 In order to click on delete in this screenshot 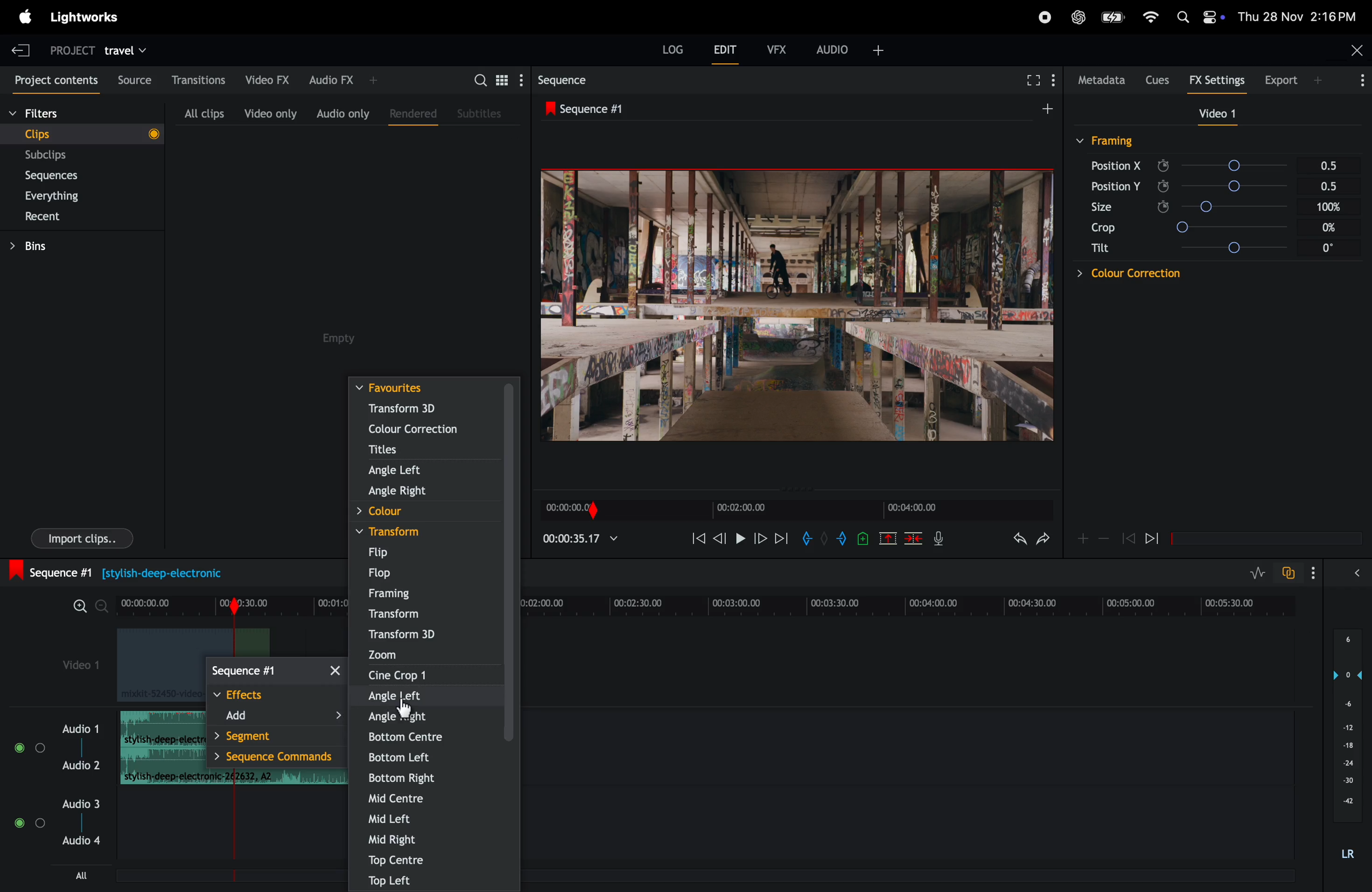, I will do `click(914, 539)`.